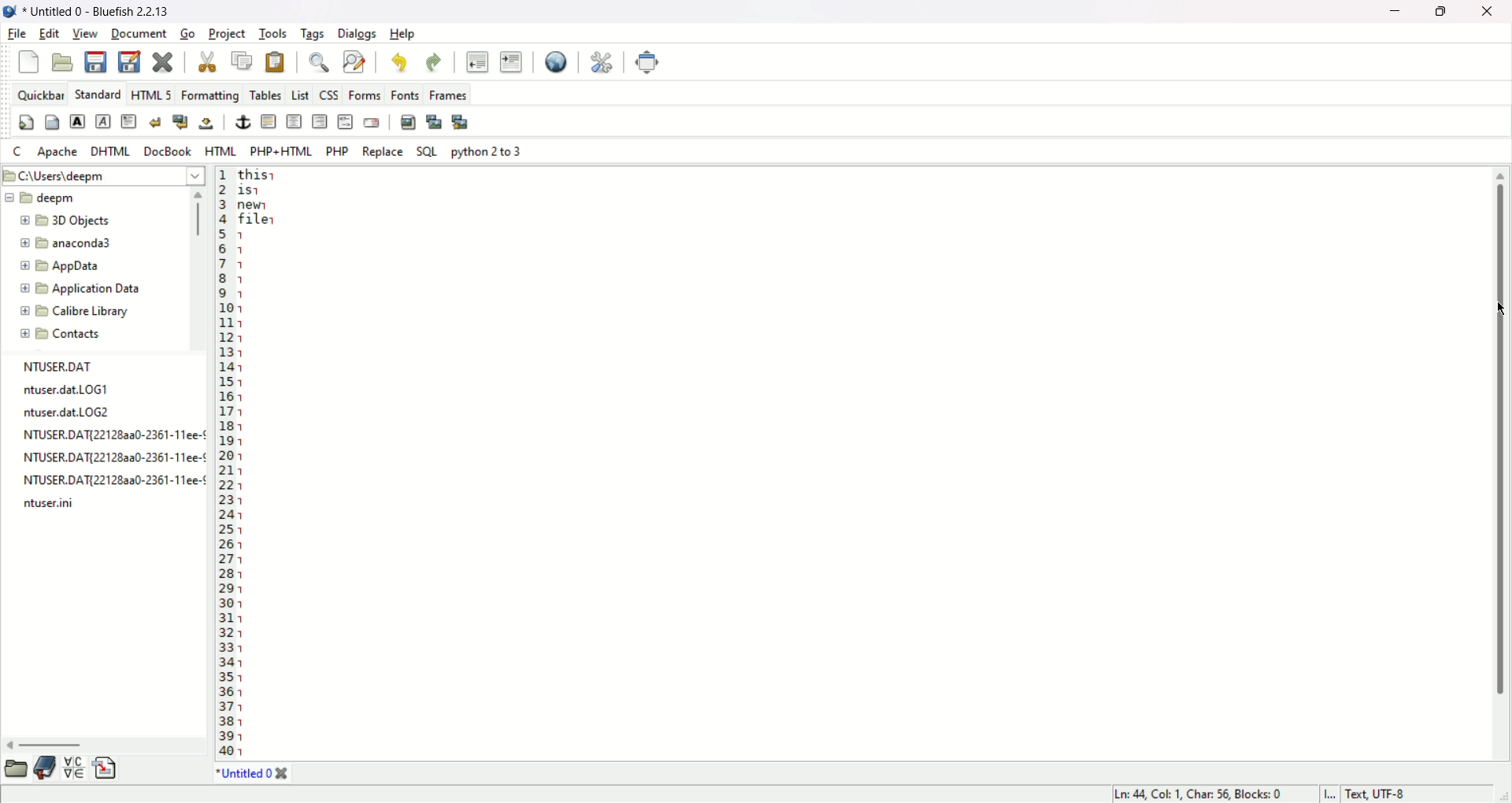  Describe the element at coordinates (275, 62) in the screenshot. I see `paste` at that location.